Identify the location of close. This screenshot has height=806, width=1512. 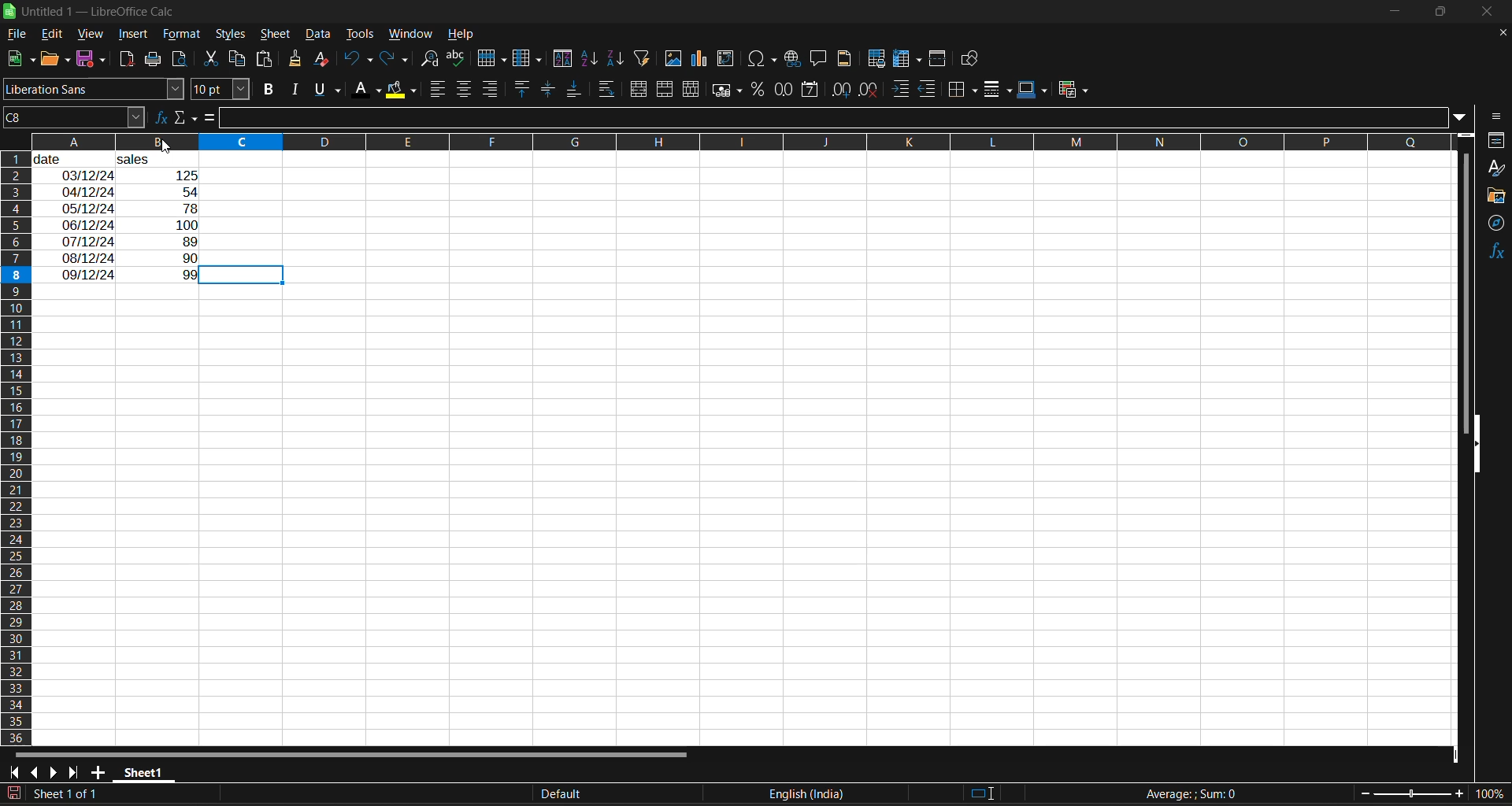
(1496, 13).